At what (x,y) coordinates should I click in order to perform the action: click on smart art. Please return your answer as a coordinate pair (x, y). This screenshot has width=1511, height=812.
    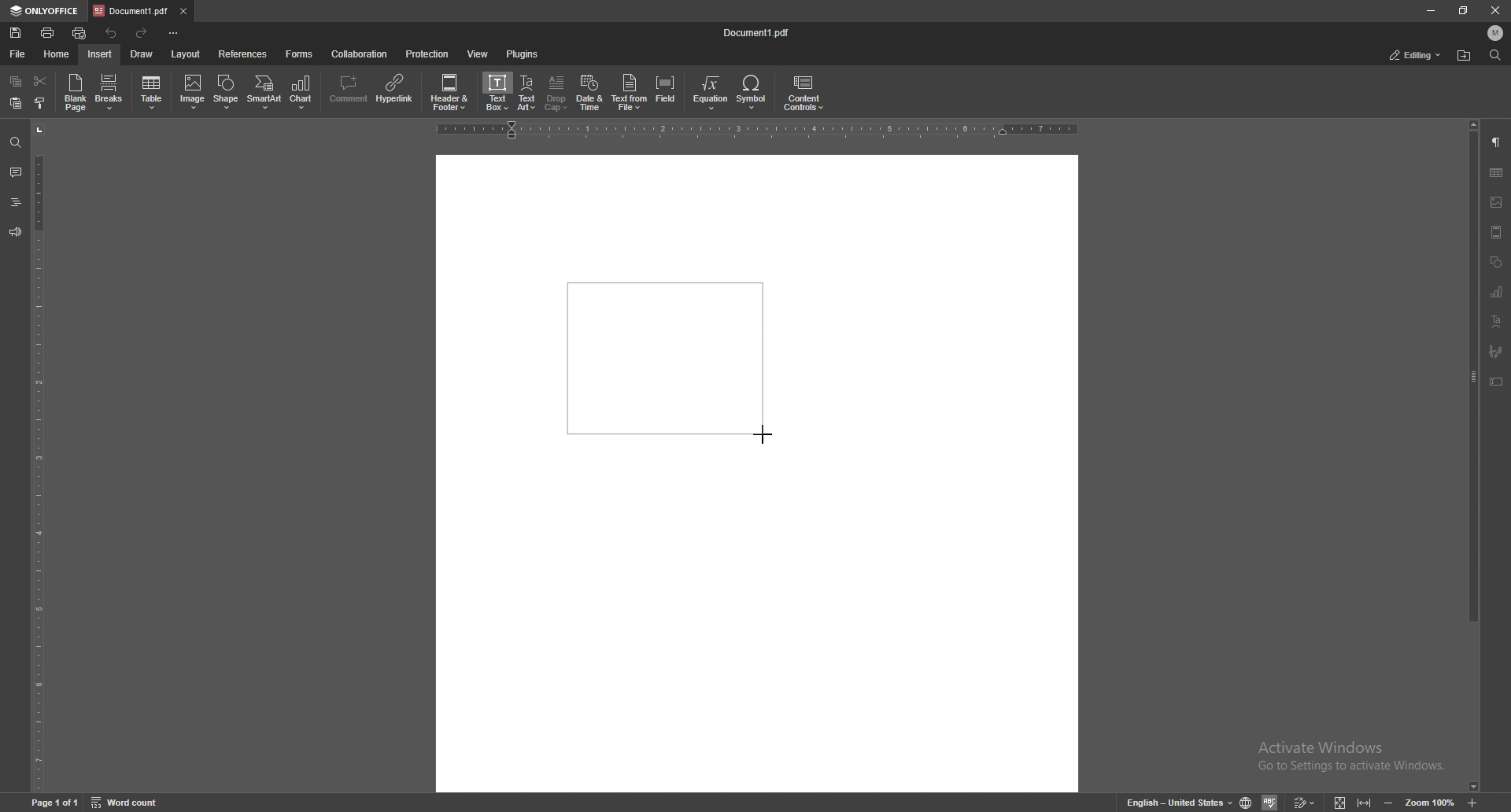
    Looking at the image, I should click on (264, 92).